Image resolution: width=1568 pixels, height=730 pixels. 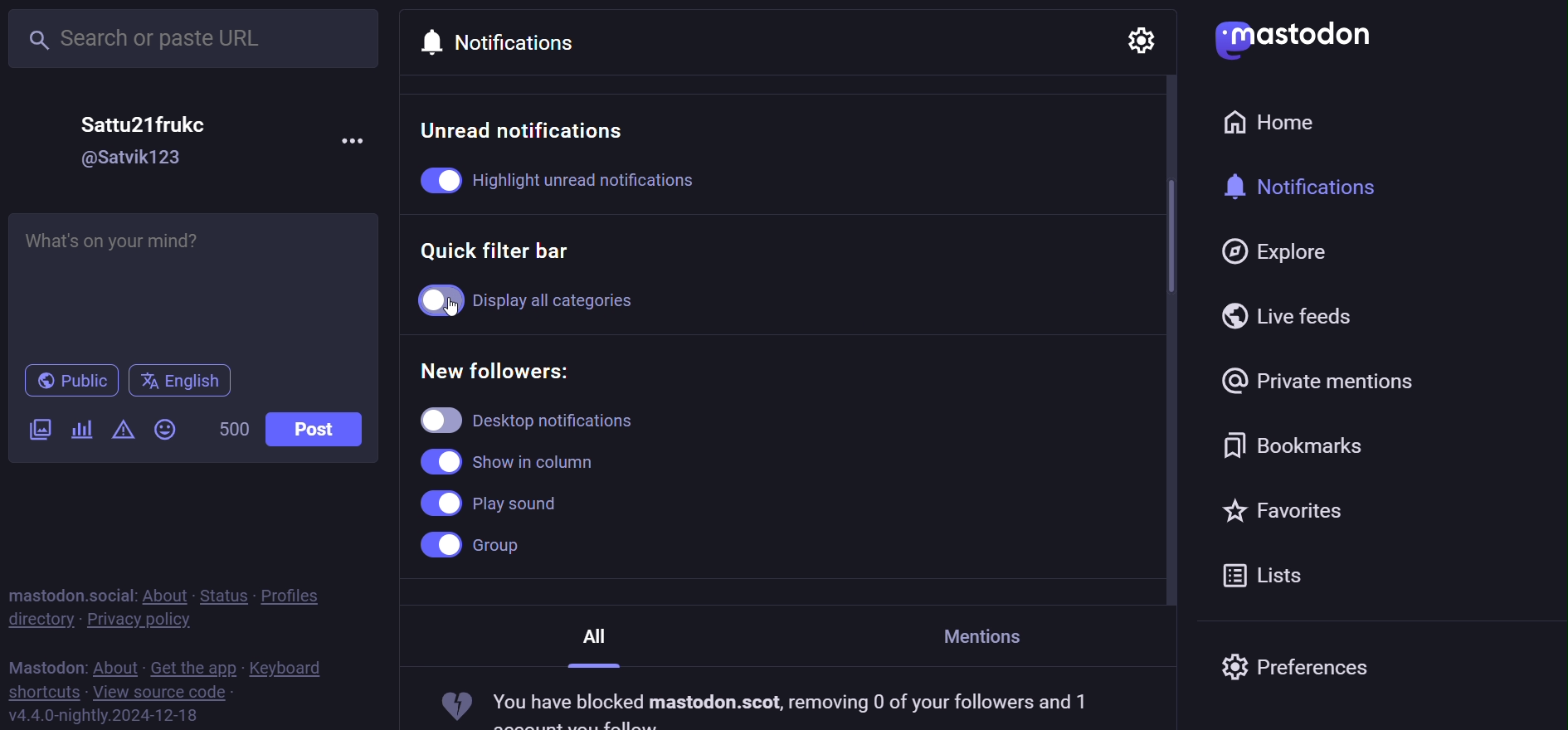 What do you see at coordinates (46, 664) in the screenshot?
I see `mastodon` at bounding box center [46, 664].